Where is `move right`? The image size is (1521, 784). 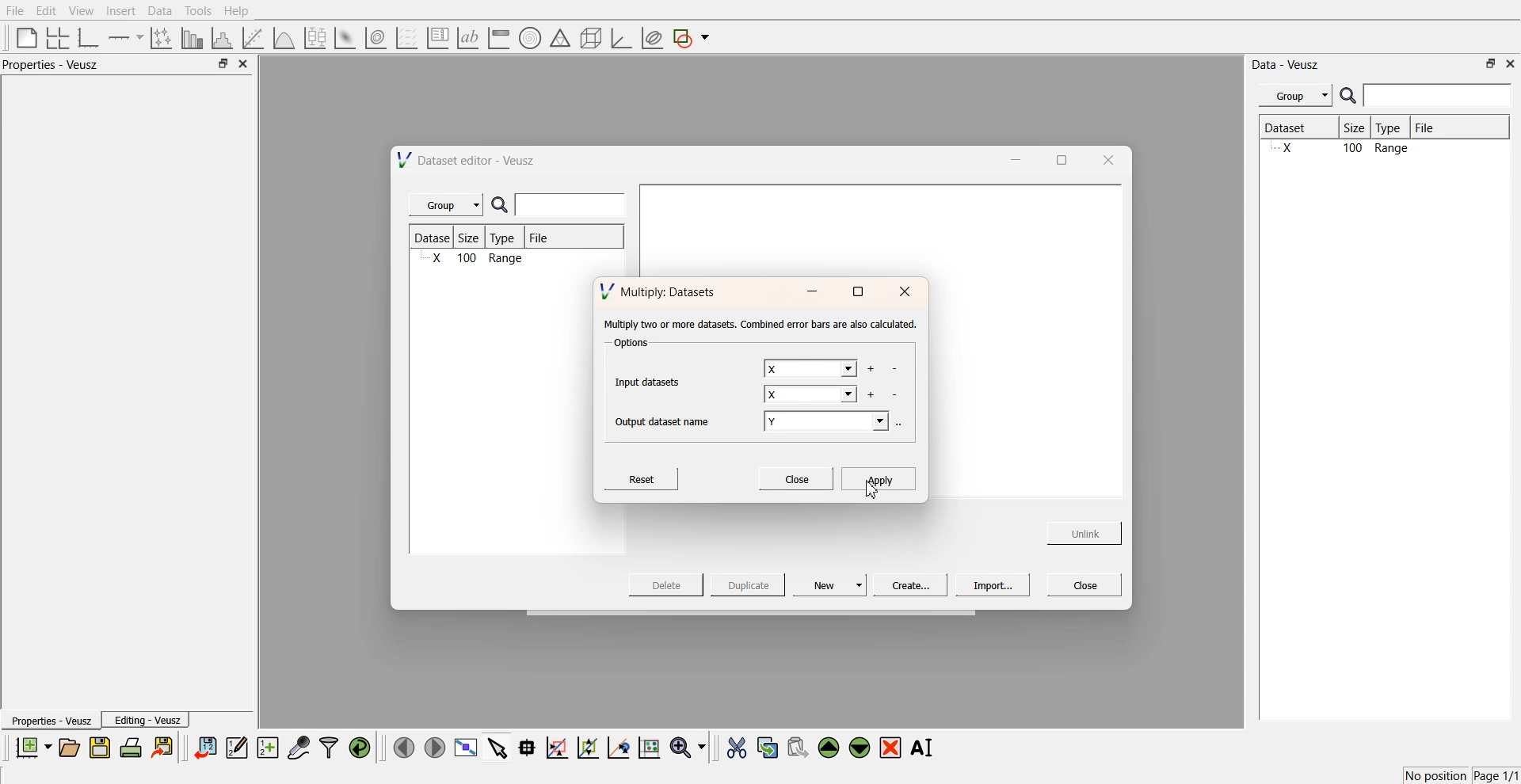 move right is located at coordinates (434, 746).